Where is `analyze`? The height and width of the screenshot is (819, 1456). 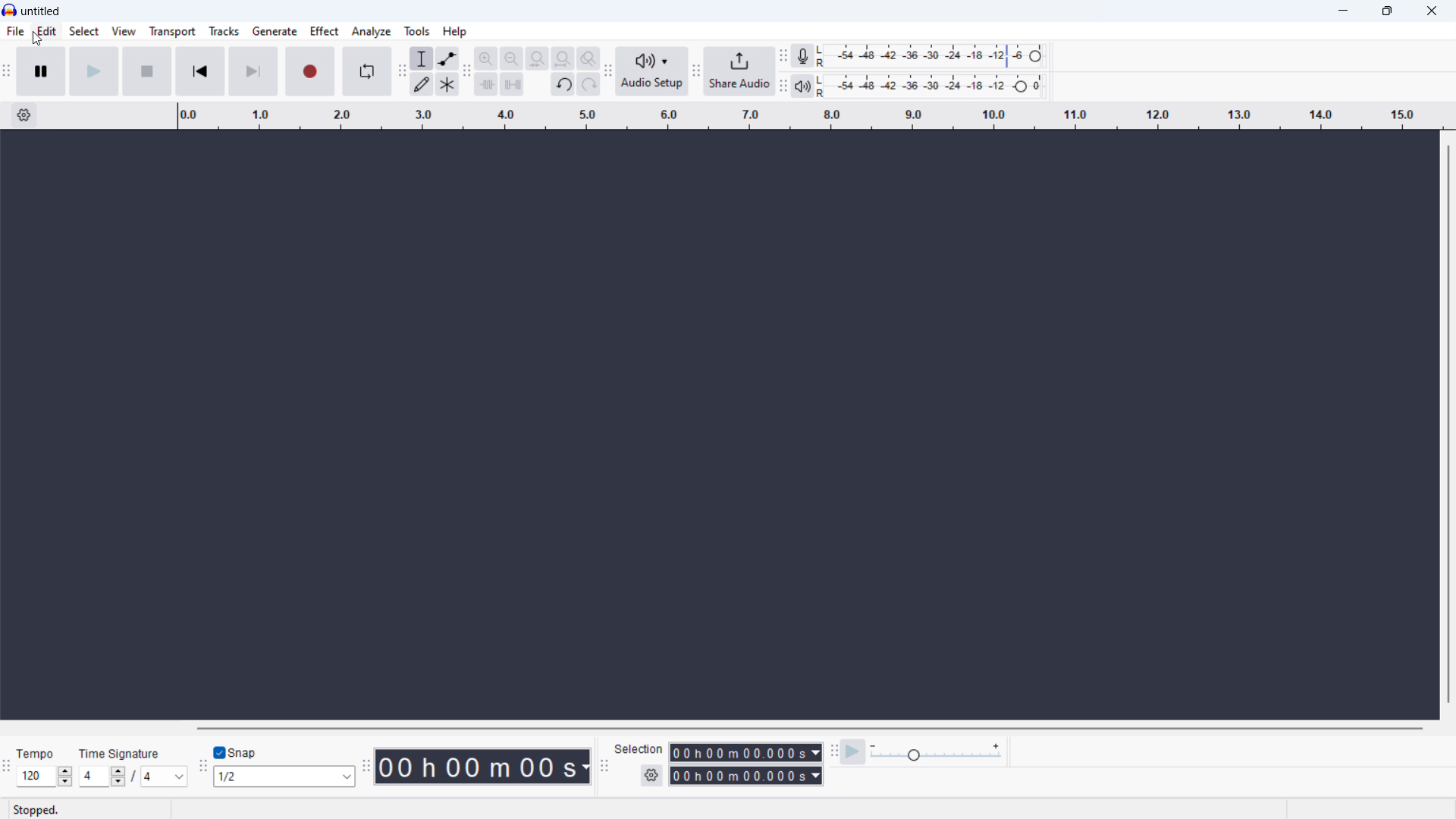 analyze is located at coordinates (371, 31).